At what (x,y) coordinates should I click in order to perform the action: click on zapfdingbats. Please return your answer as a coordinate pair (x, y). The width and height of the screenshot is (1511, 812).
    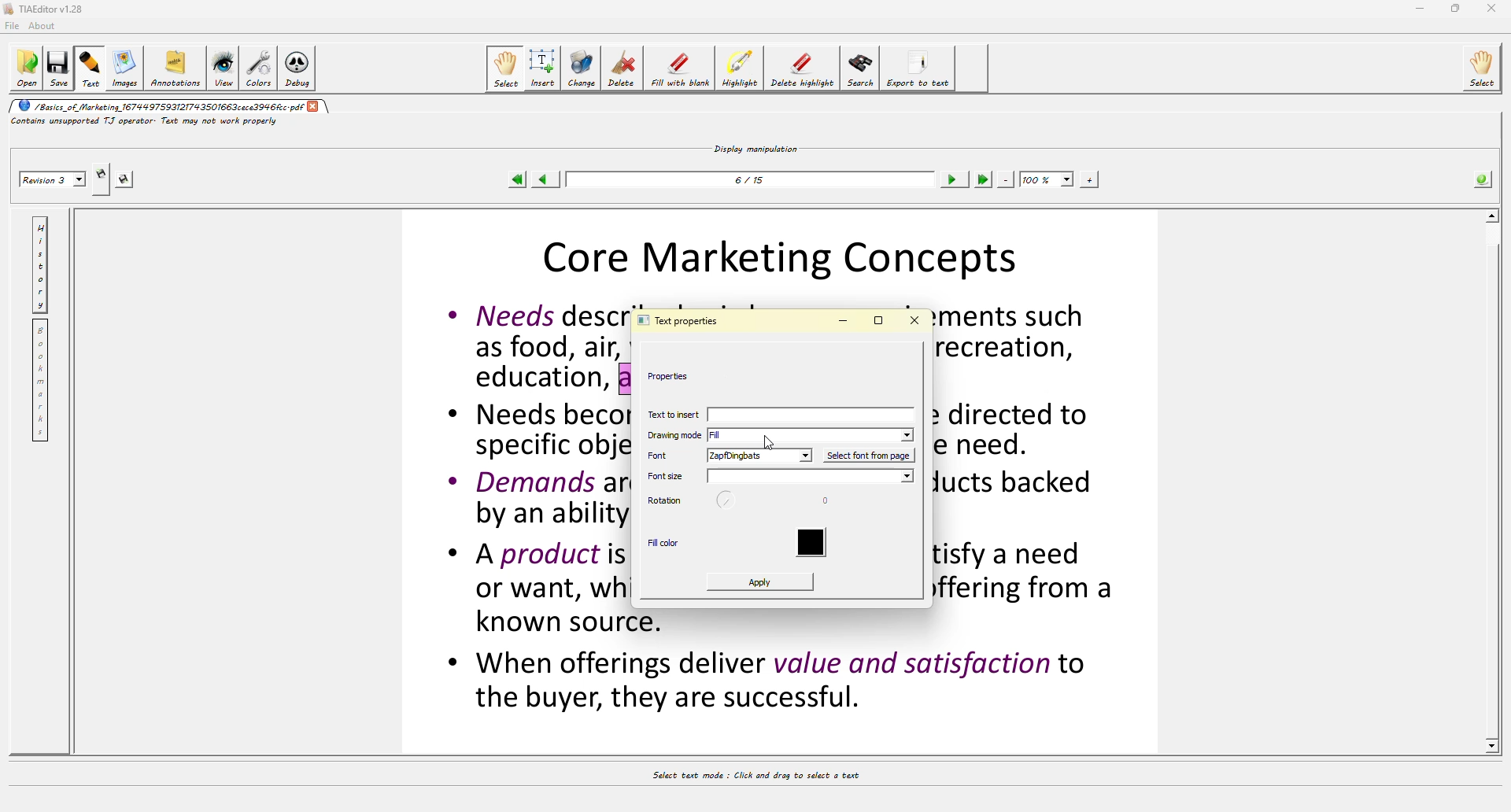
    Looking at the image, I should click on (757, 456).